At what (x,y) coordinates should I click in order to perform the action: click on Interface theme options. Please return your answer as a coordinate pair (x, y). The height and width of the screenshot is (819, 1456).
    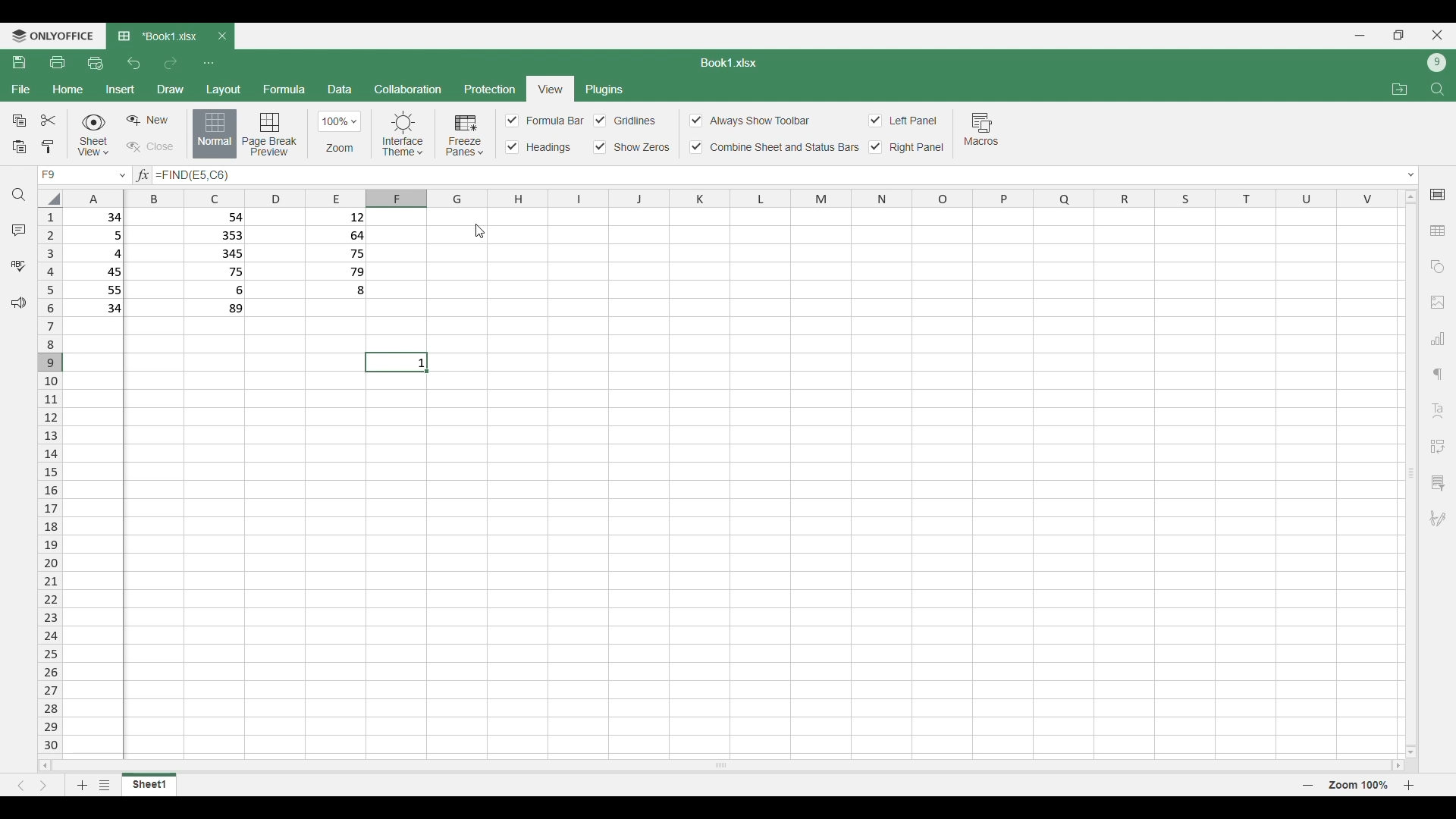
    Looking at the image, I should click on (404, 133).